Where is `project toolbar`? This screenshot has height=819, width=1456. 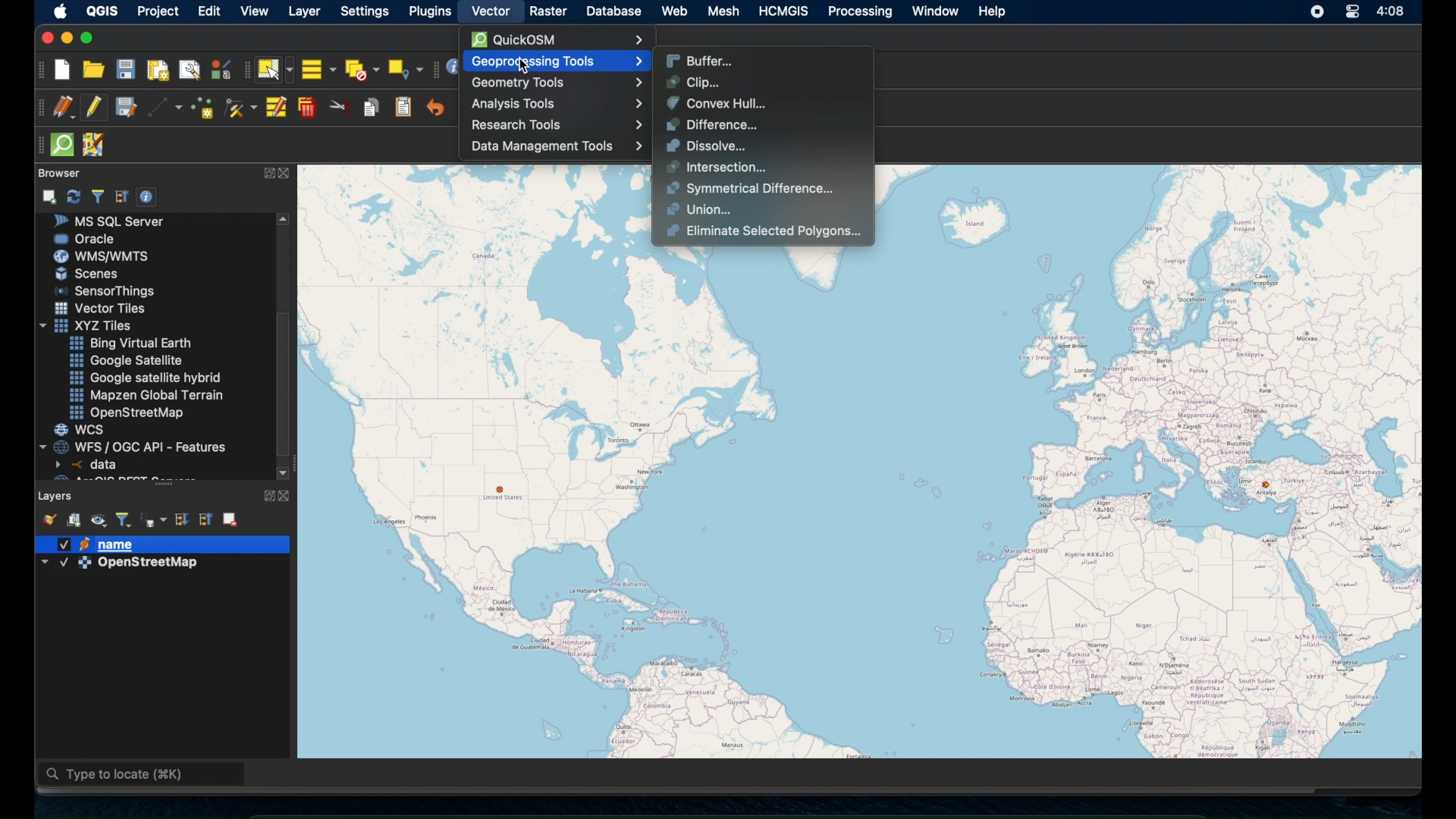
project toolbar is located at coordinates (39, 70).